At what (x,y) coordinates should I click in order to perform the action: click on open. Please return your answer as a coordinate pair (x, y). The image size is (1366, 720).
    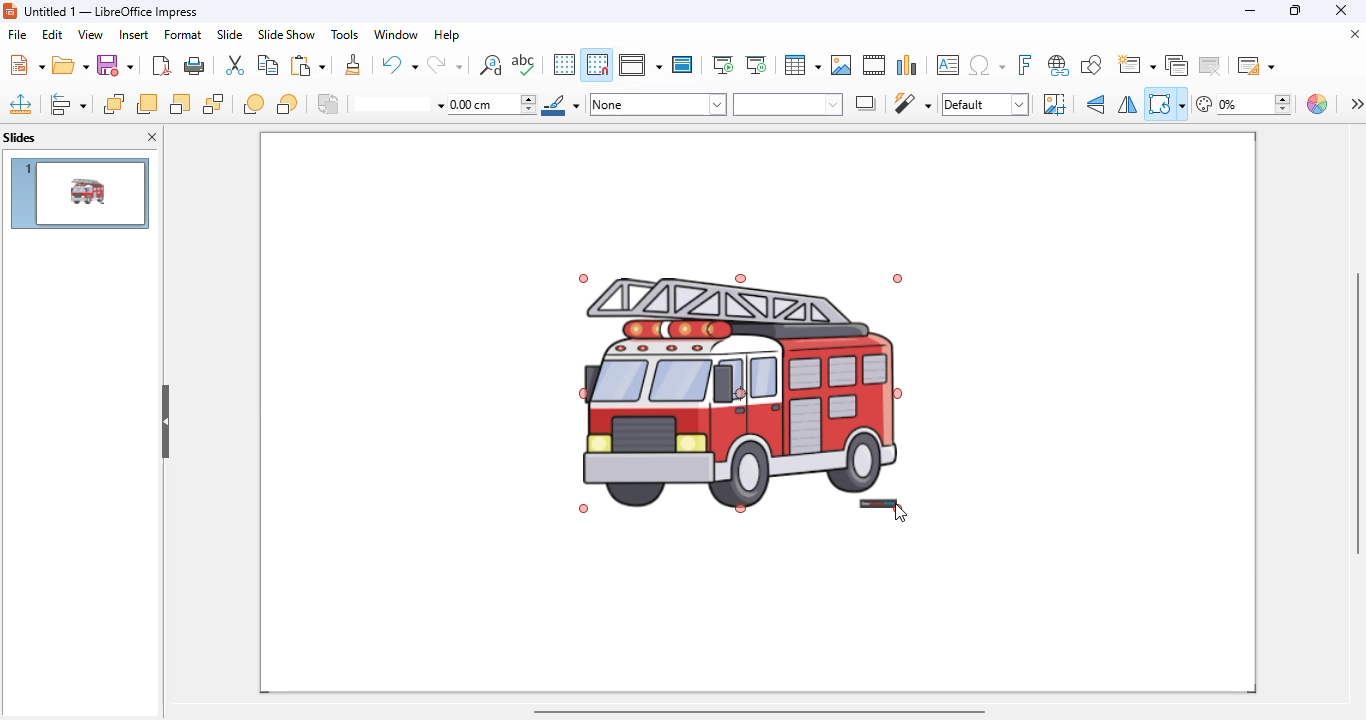
    Looking at the image, I should click on (71, 66).